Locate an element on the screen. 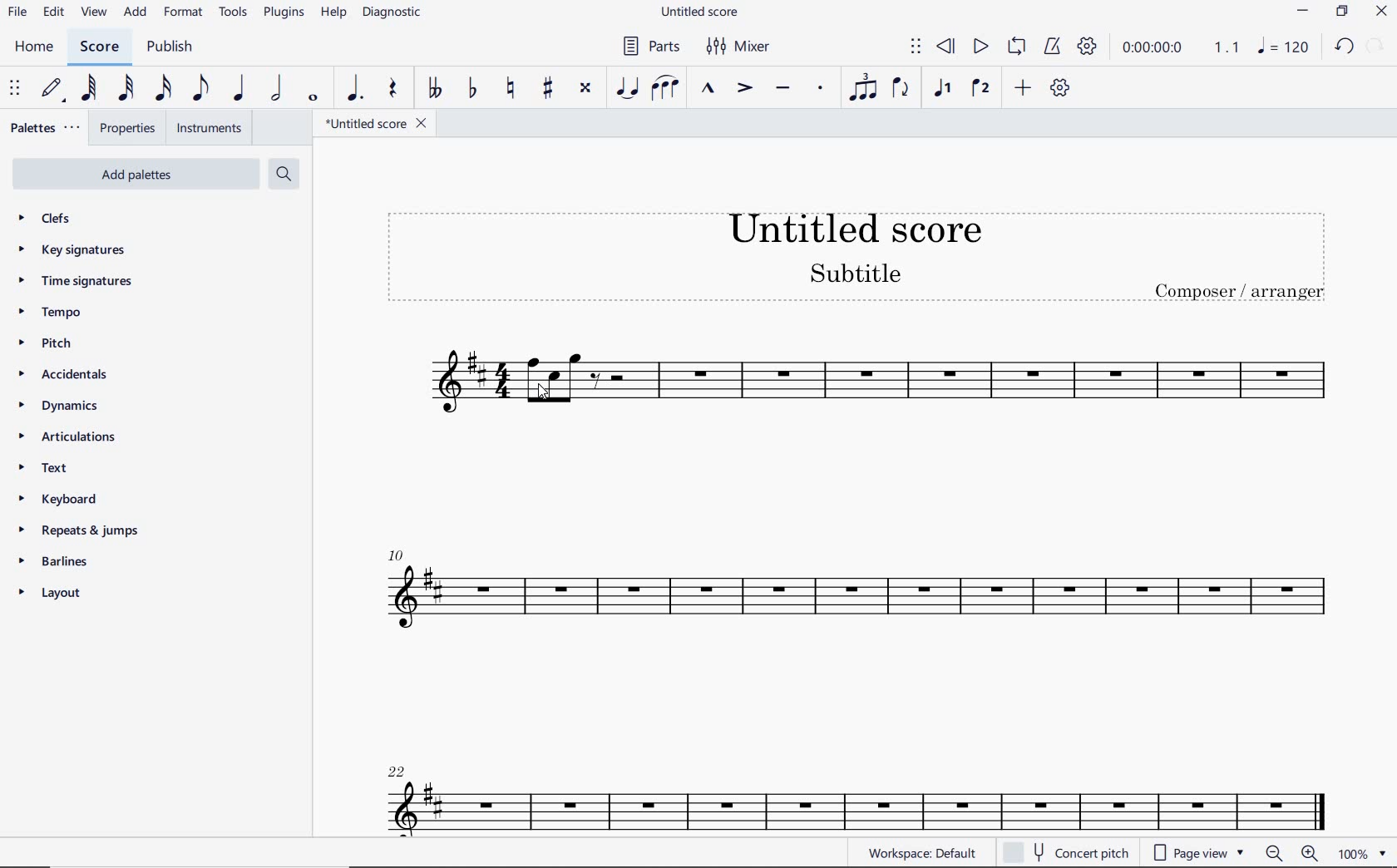 This screenshot has width=1397, height=868. AUGMENTATION DOT is located at coordinates (357, 89).